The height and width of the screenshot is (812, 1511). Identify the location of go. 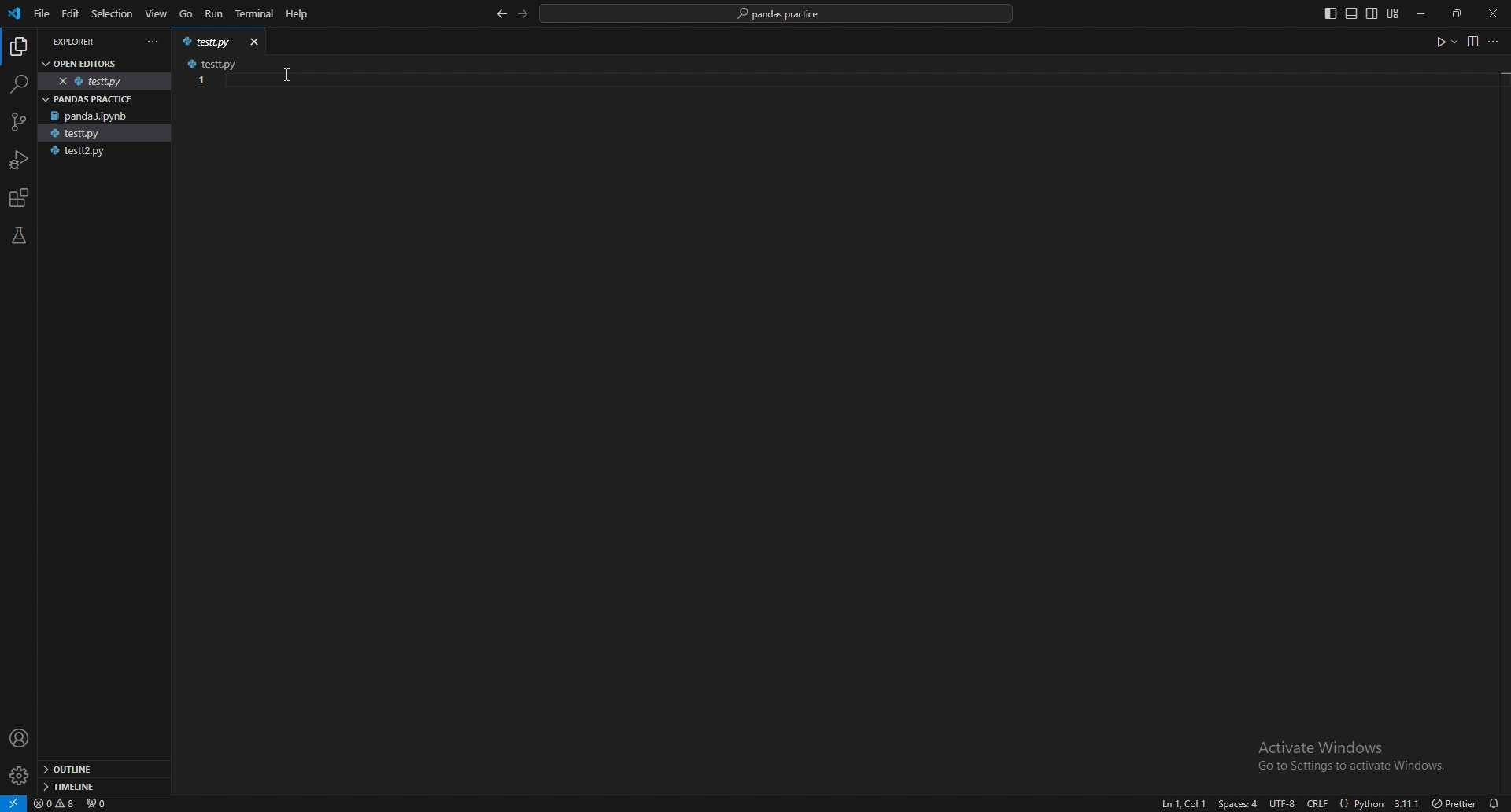
(186, 15).